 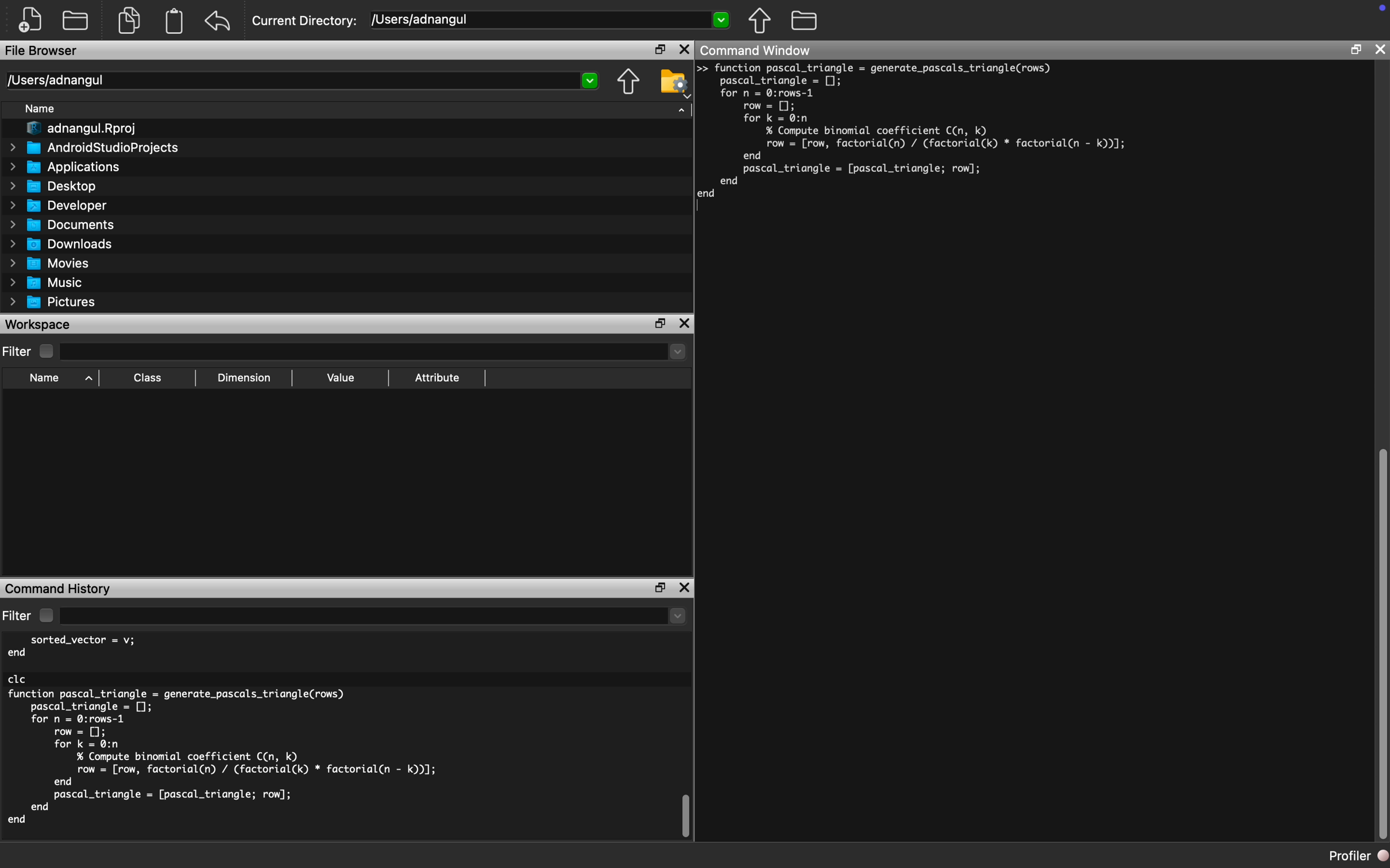 What do you see at coordinates (550, 19) in the screenshot?
I see `/Users/adnangul` at bounding box center [550, 19].